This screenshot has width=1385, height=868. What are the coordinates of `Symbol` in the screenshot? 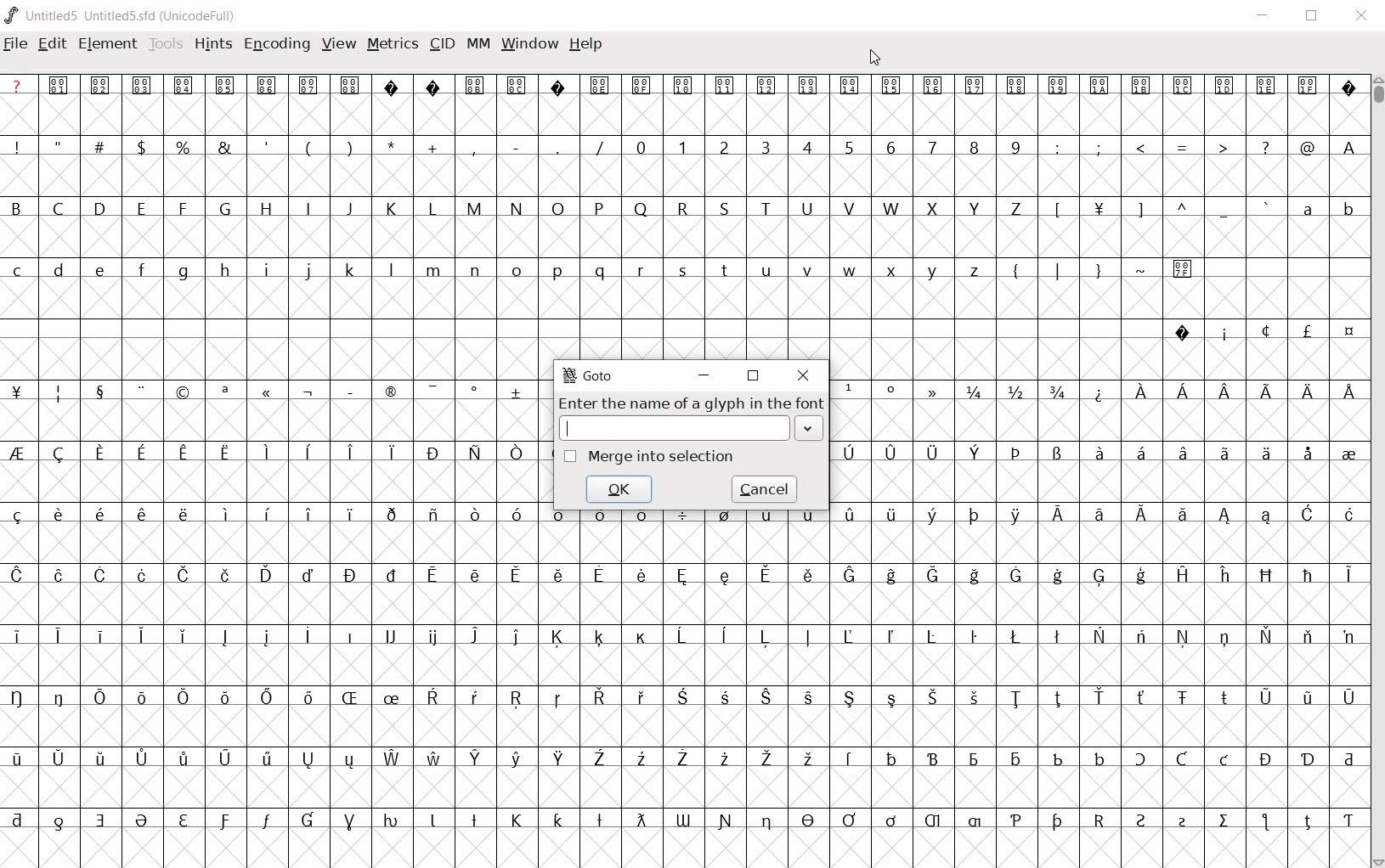 It's located at (267, 394).